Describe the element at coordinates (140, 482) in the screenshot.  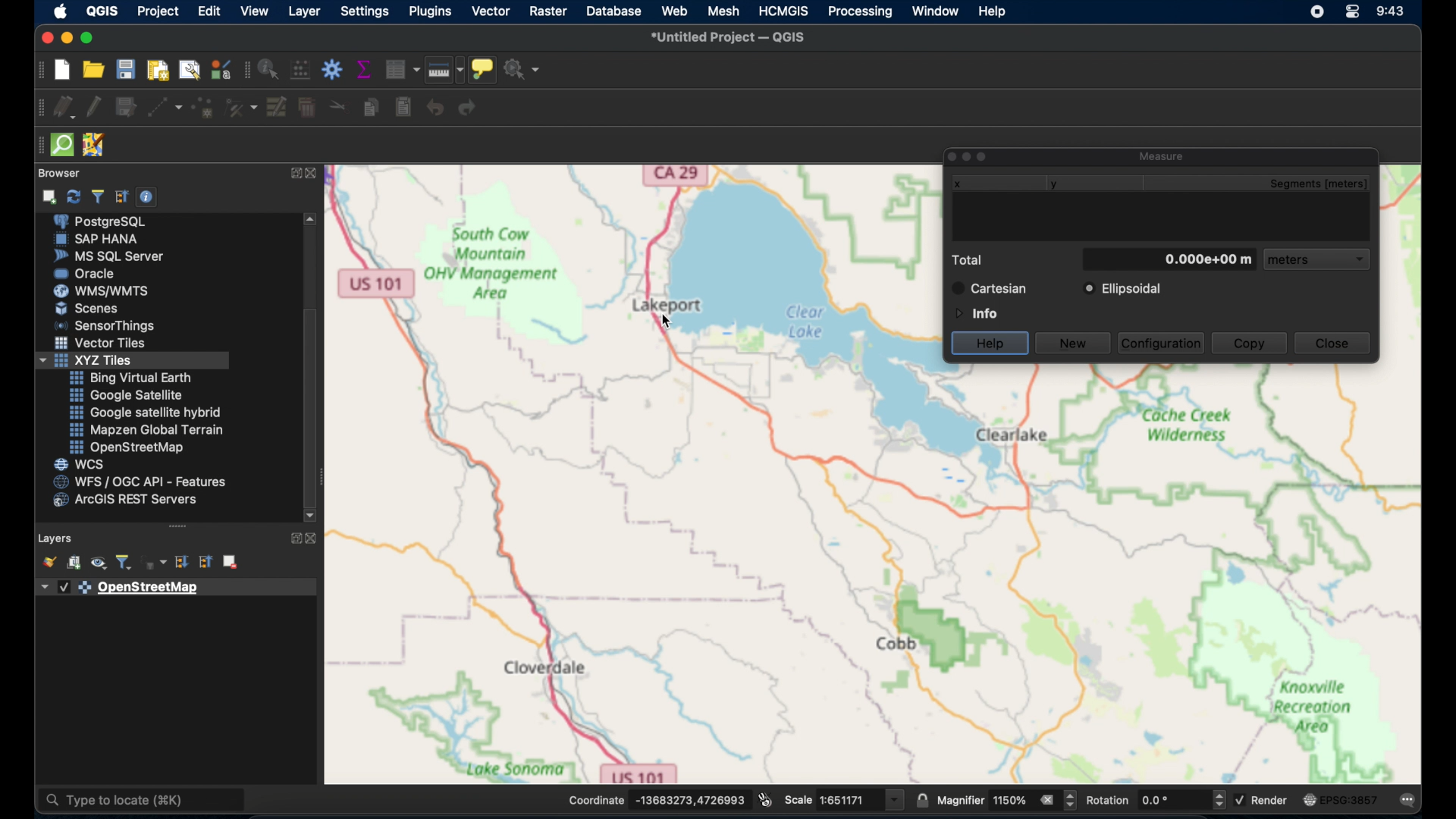
I see `wfs/ogc api - features` at that location.